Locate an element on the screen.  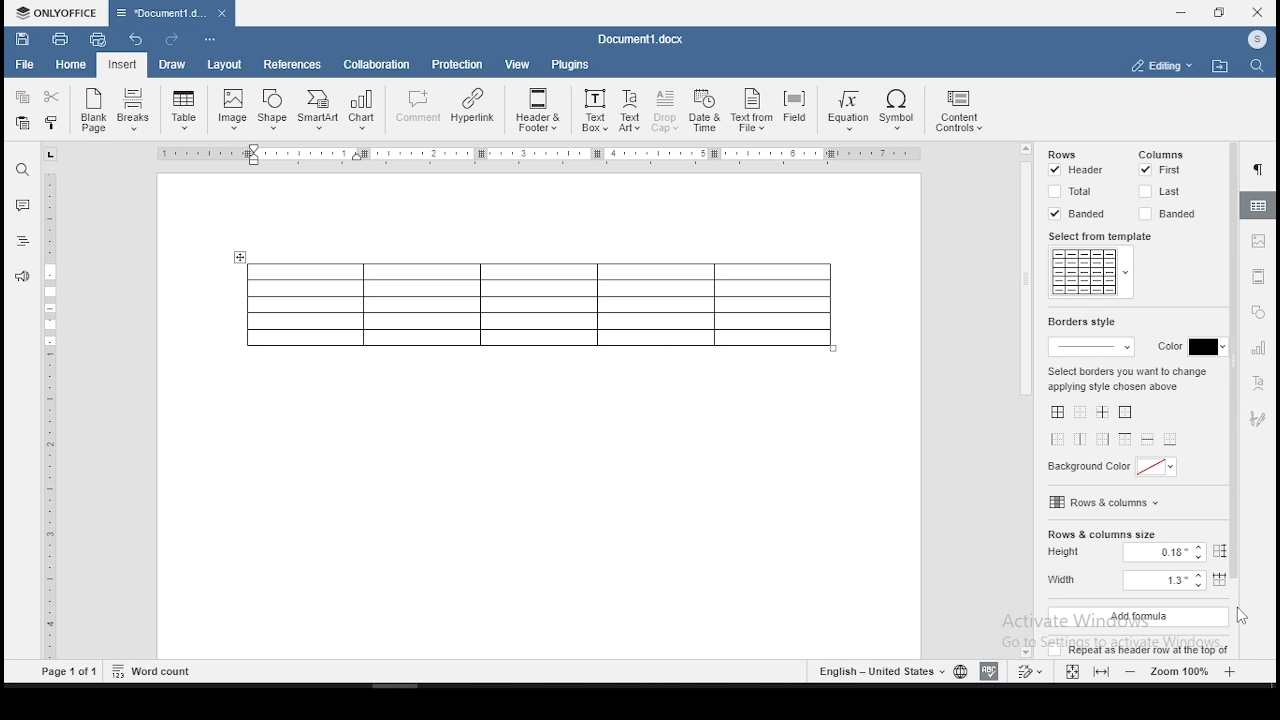
home is located at coordinates (71, 65).